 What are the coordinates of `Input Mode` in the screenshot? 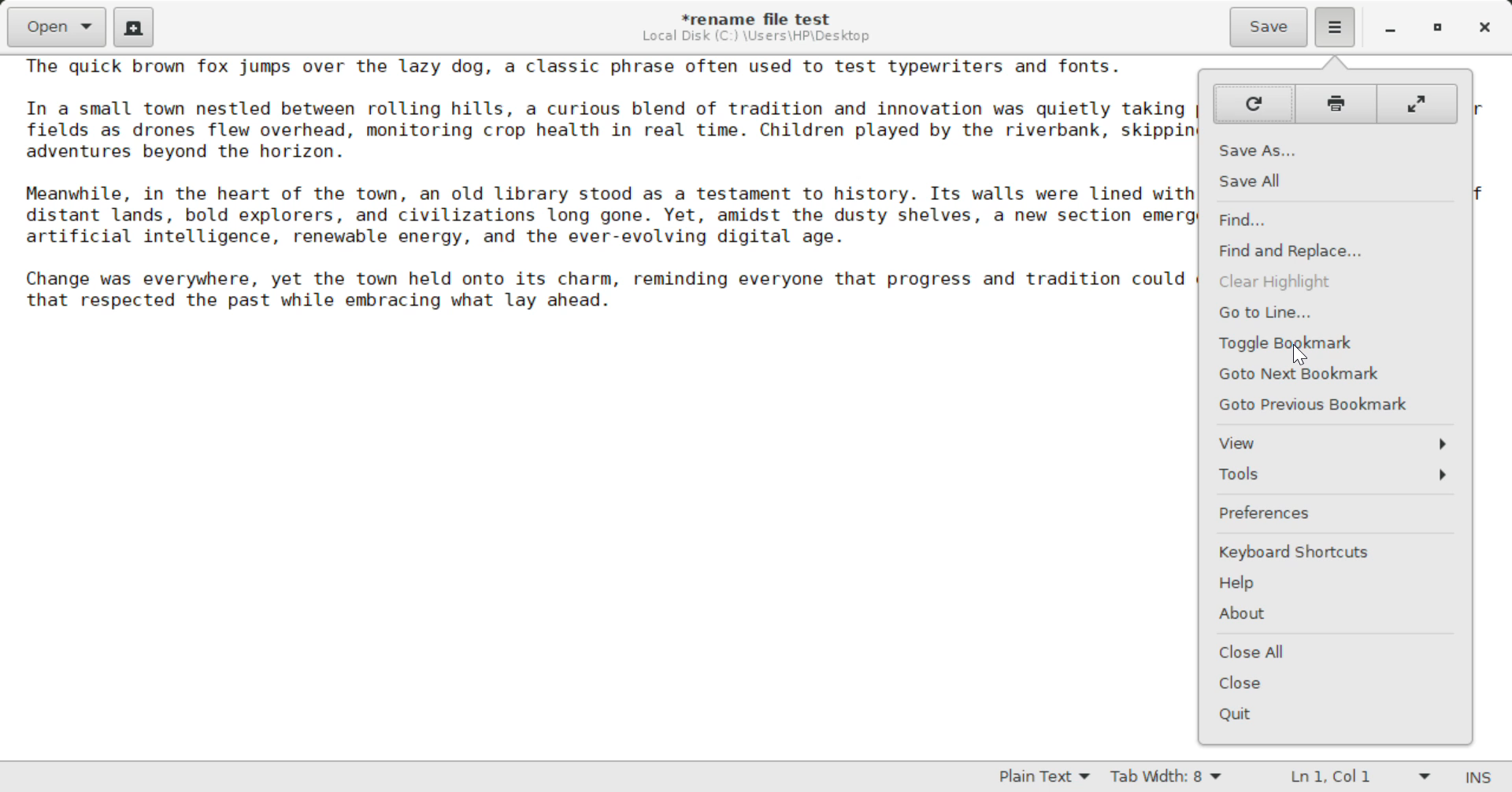 It's located at (1480, 778).